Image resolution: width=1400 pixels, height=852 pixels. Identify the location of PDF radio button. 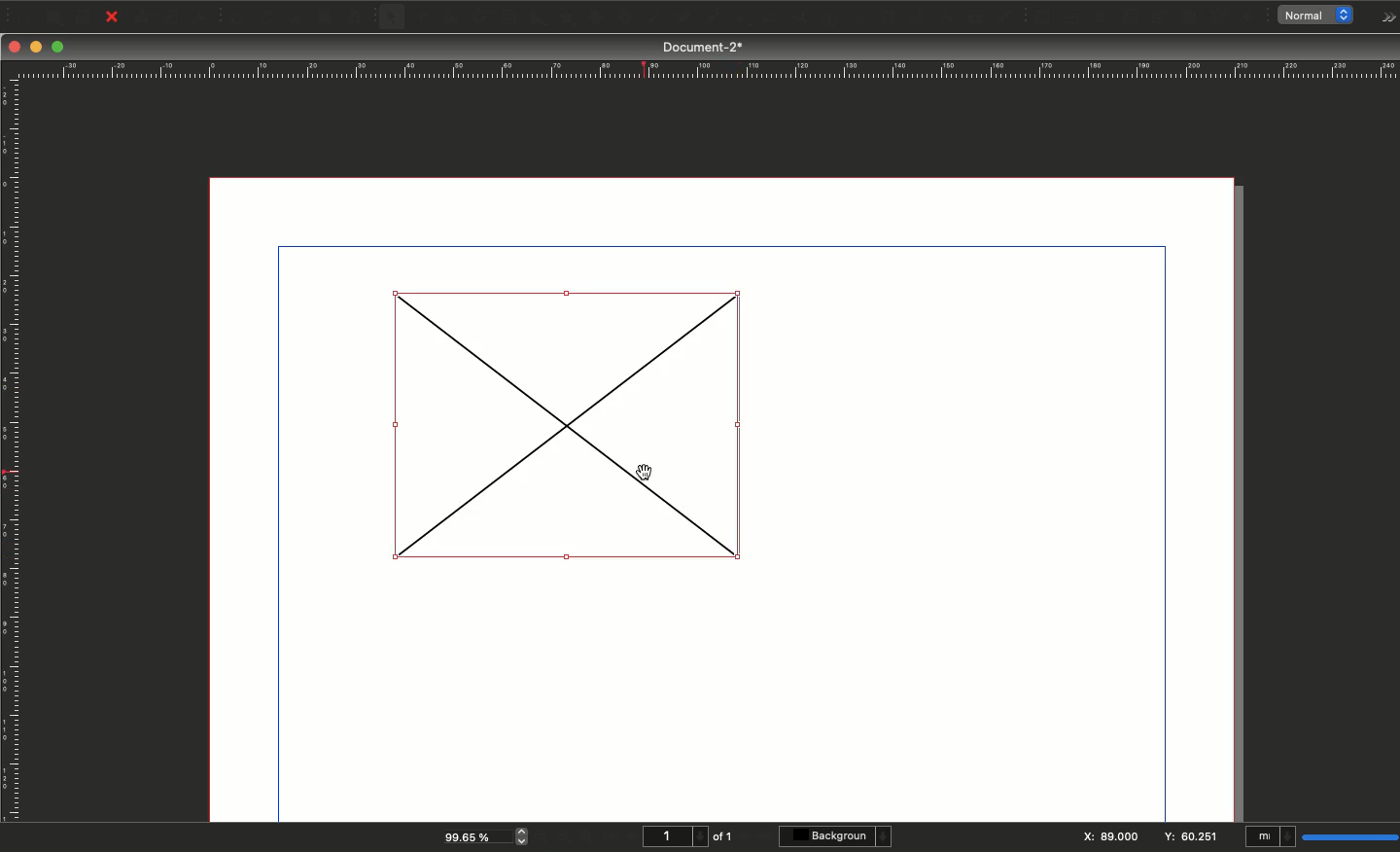
(1102, 18).